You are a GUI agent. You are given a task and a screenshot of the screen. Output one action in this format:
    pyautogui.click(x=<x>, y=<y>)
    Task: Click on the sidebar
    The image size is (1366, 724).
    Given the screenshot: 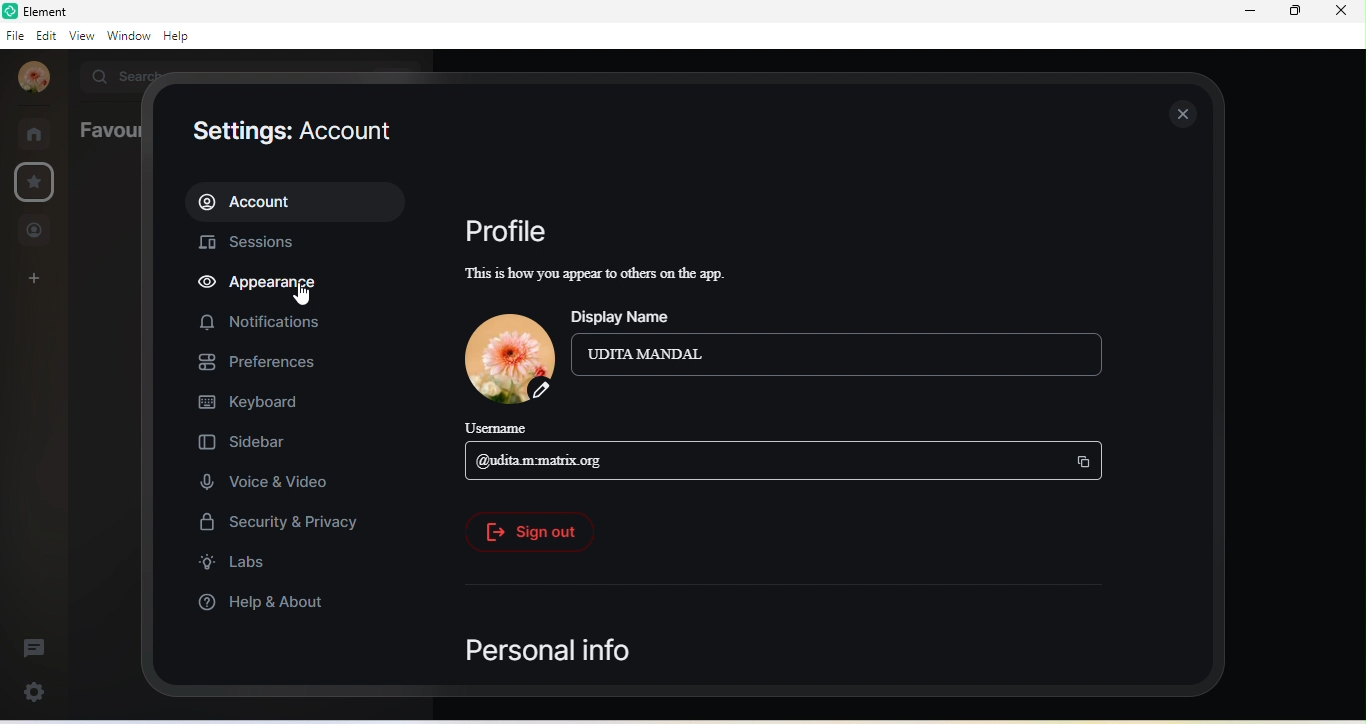 What is the action you would take?
    pyautogui.click(x=264, y=439)
    